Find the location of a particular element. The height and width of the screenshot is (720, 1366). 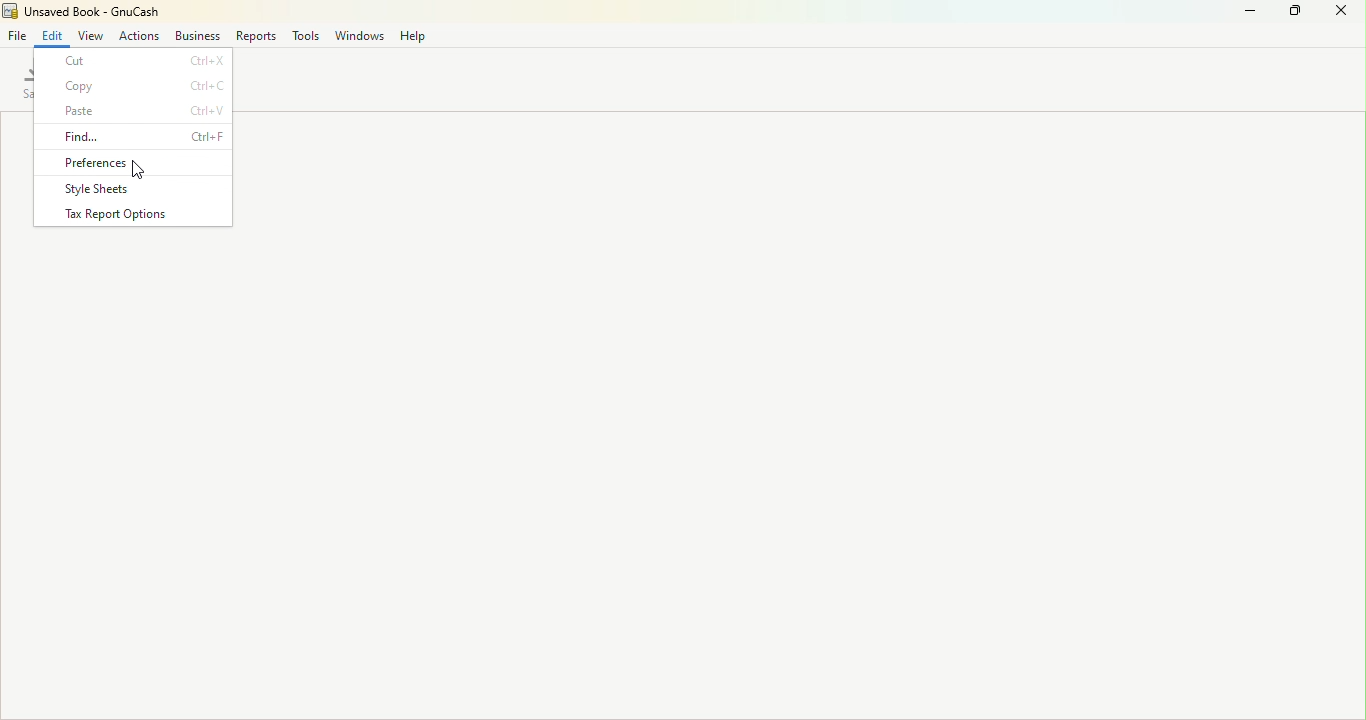

Edit is located at coordinates (53, 34).